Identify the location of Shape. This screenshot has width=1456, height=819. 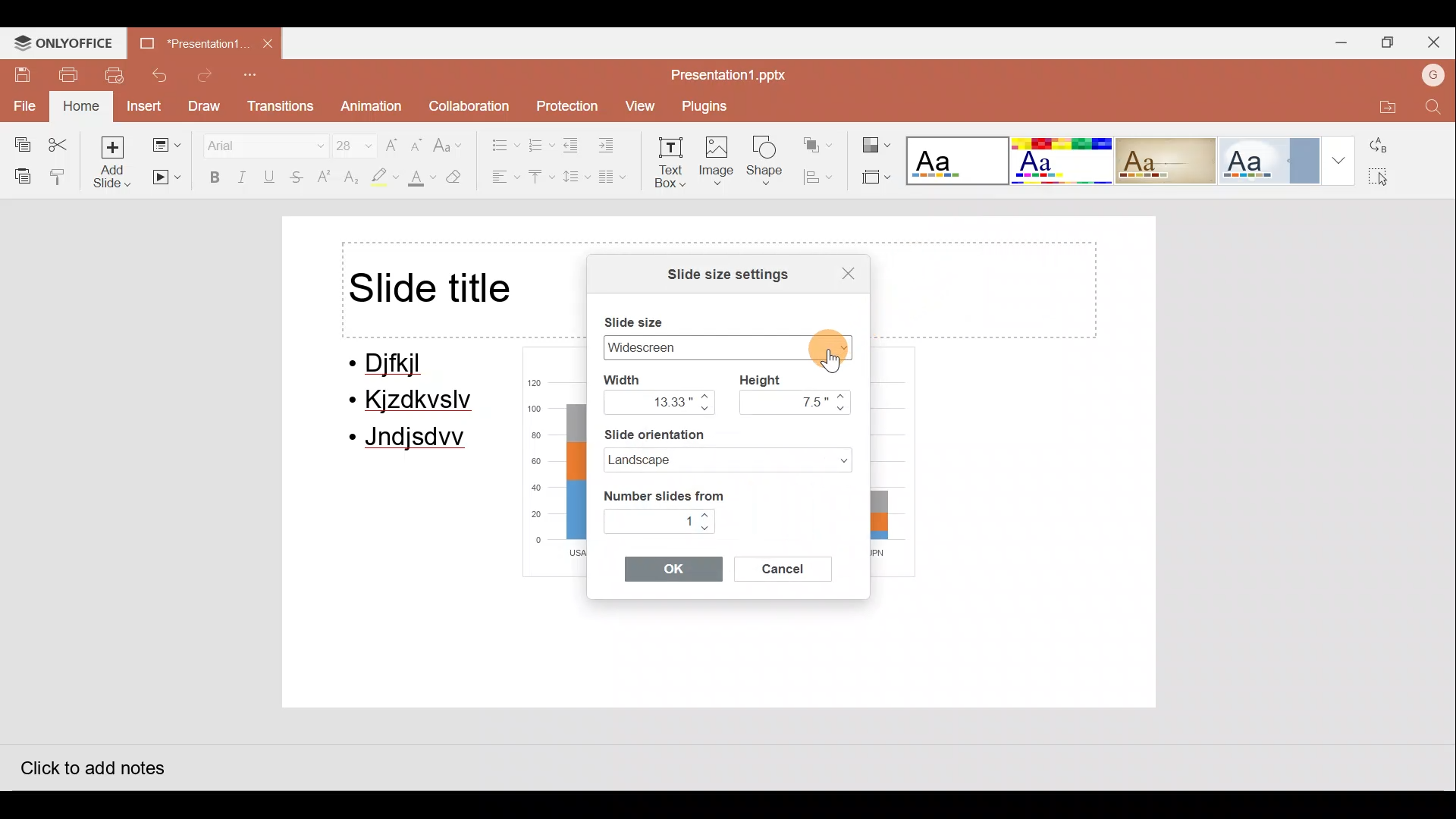
(769, 164).